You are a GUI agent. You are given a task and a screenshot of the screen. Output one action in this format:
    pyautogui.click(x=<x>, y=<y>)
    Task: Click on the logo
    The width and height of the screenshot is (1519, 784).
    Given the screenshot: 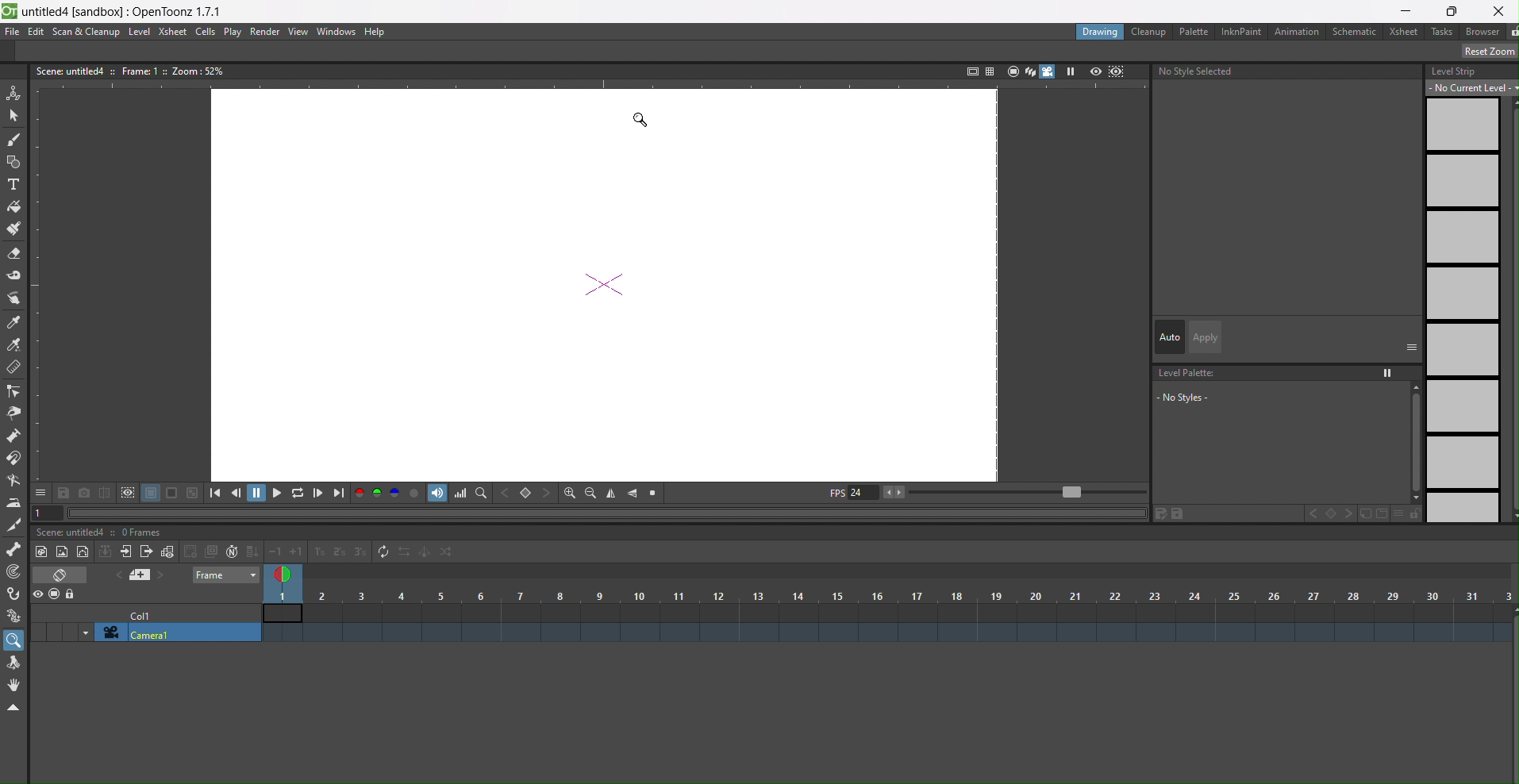 What is the action you would take?
    pyautogui.click(x=10, y=10)
    